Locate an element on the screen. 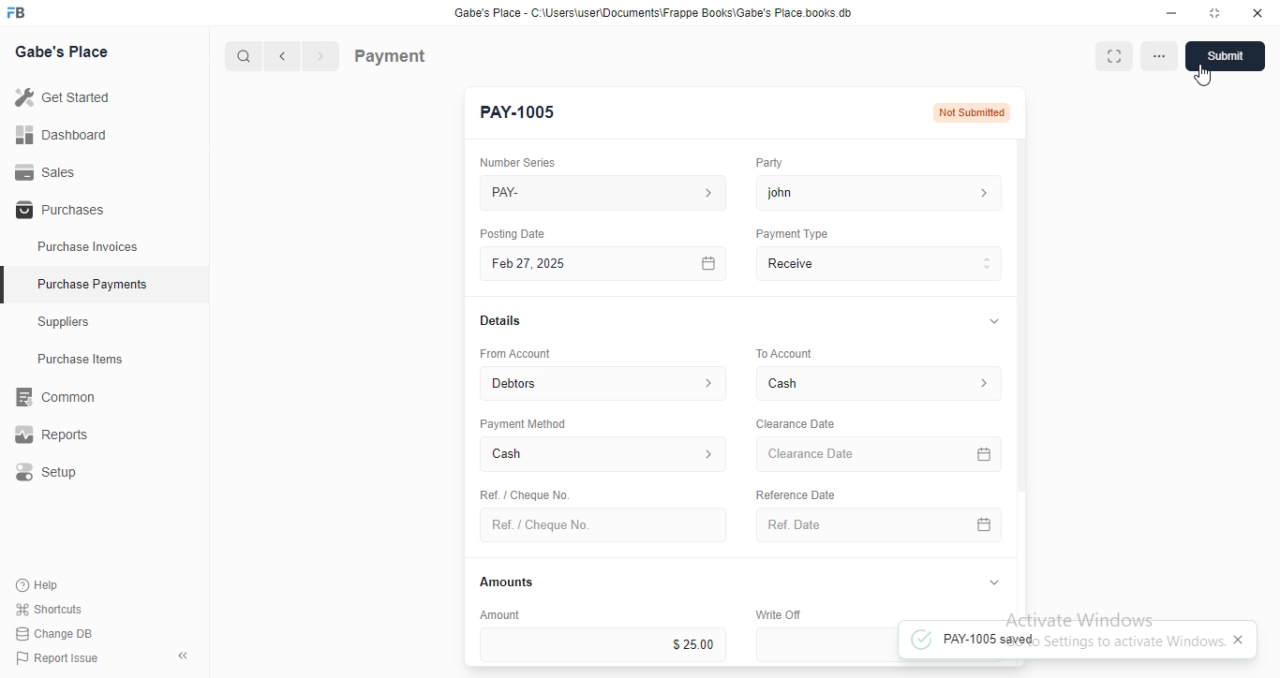 The height and width of the screenshot is (678, 1280). Feb 27, 2025 is located at coordinates (606, 264).